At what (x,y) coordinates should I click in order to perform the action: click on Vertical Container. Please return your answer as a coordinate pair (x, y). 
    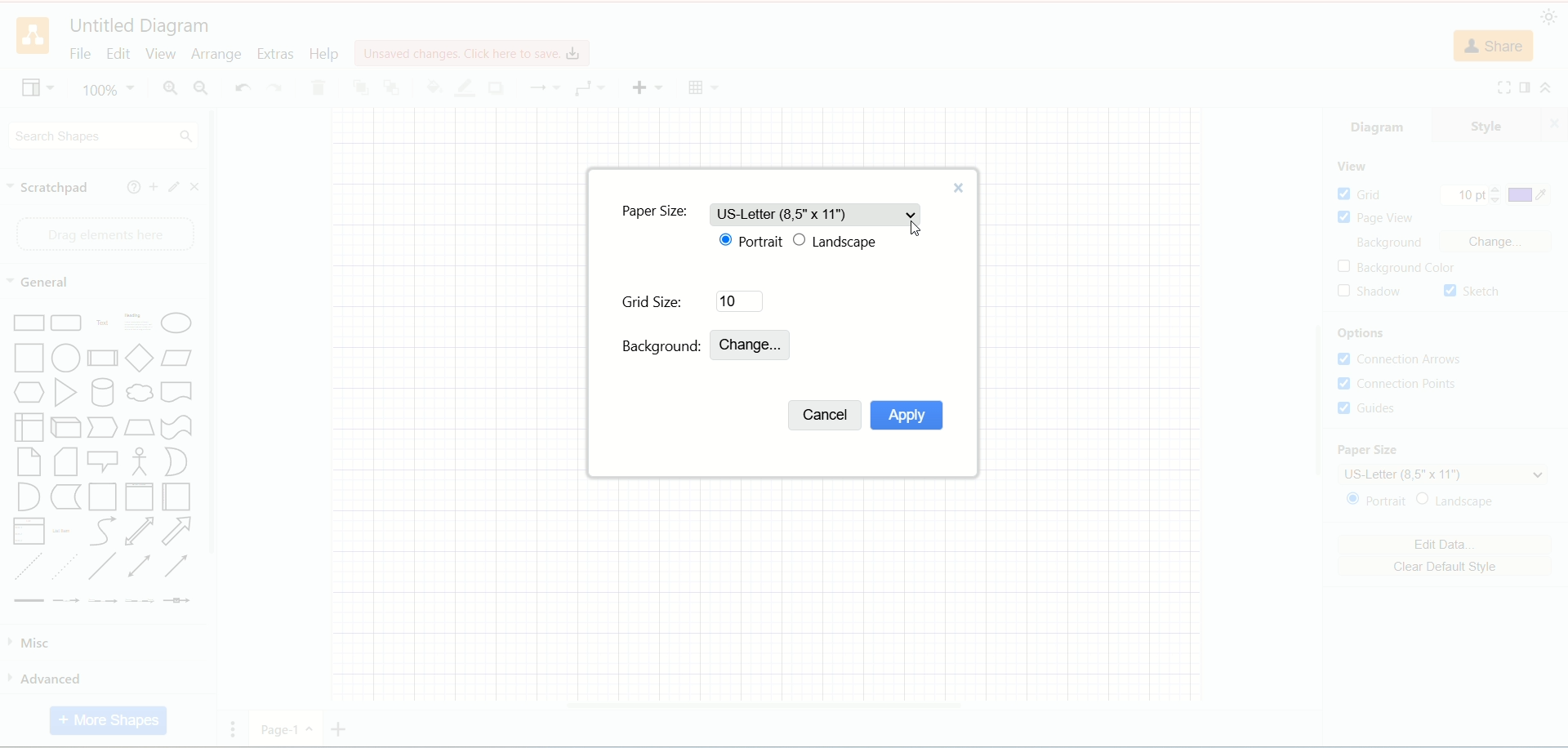
    Looking at the image, I should click on (139, 497).